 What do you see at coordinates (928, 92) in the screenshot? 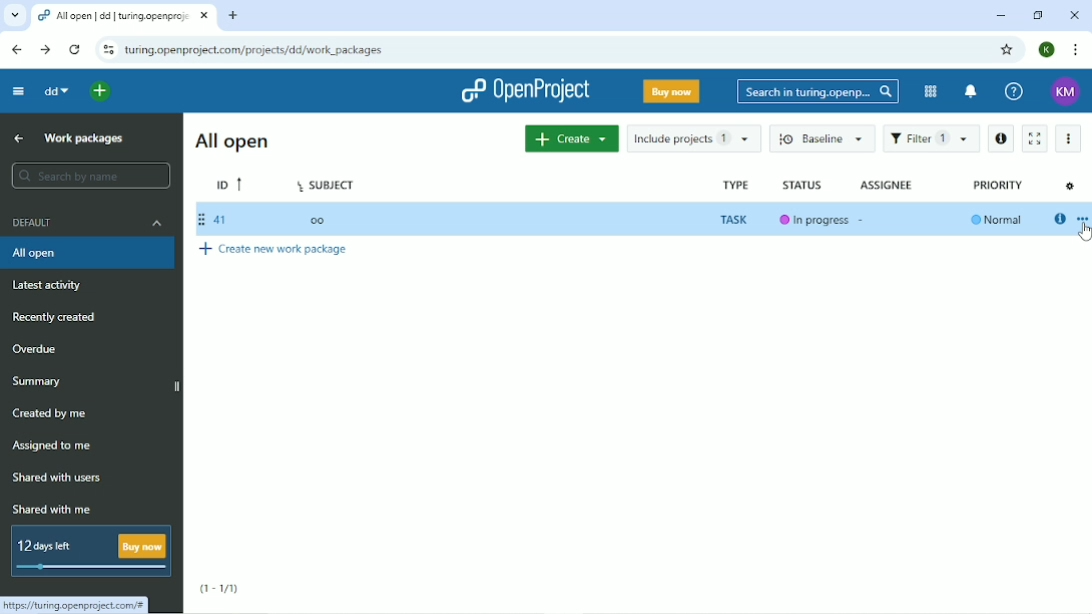
I see `Modules` at bounding box center [928, 92].